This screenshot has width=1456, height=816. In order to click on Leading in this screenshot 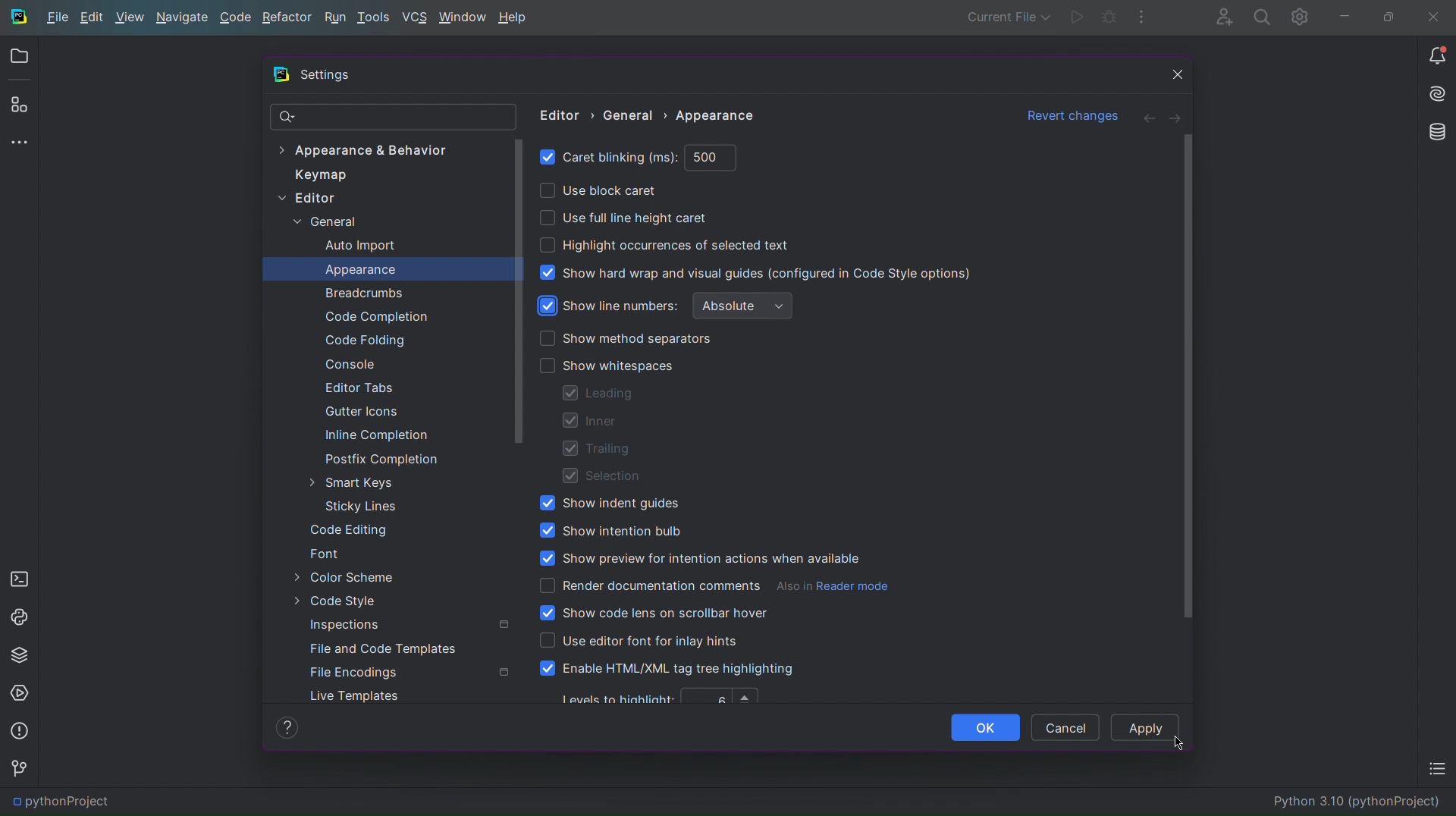, I will do `click(602, 394)`.